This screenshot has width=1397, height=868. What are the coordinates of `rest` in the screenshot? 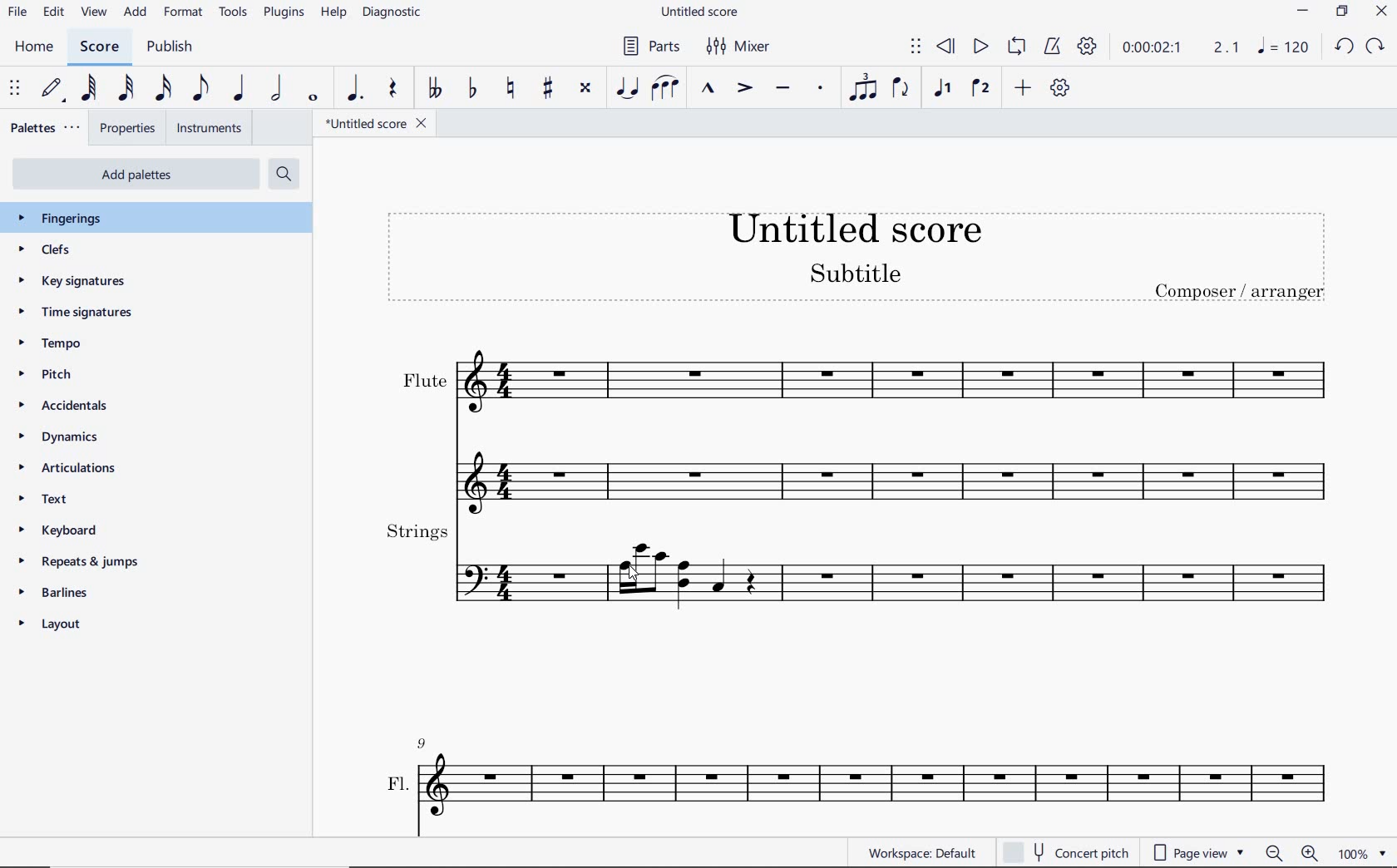 It's located at (394, 91).